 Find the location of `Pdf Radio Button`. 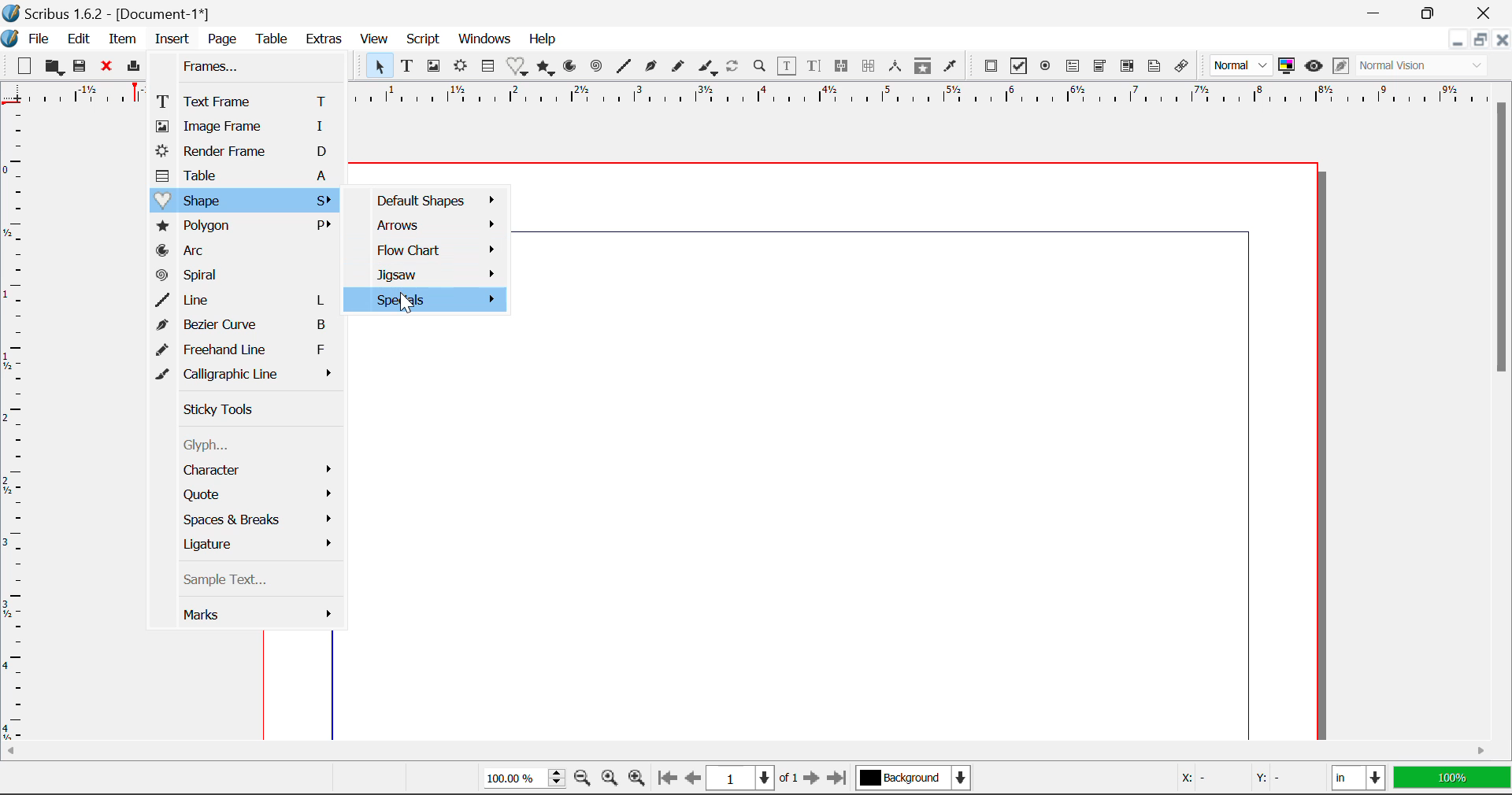

Pdf Radio Button is located at coordinates (1047, 68).